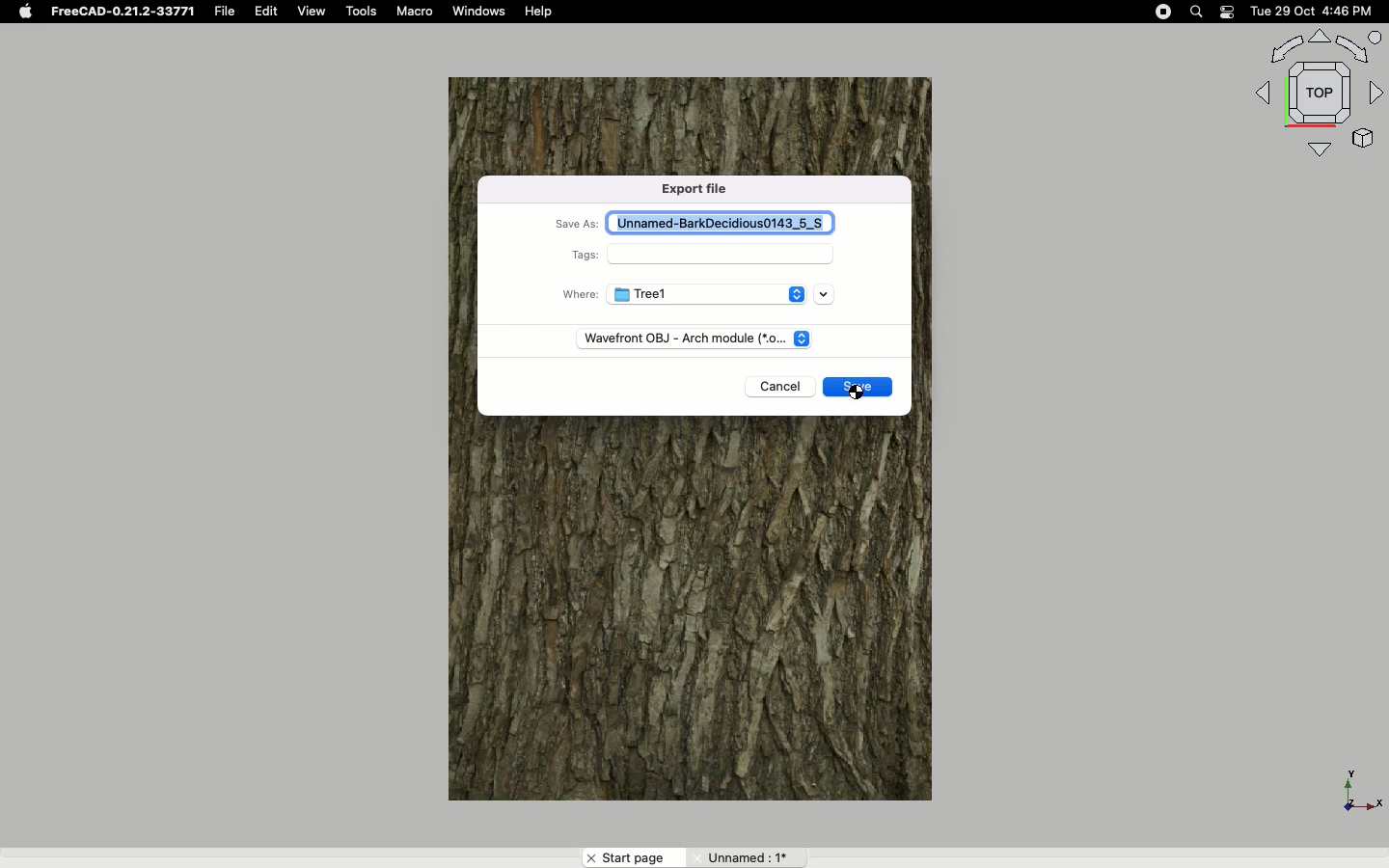 The height and width of the screenshot is (868, 1389). Describe the element at coordinates (1227, 12) in the screenshot. I see `Notification` at that location.